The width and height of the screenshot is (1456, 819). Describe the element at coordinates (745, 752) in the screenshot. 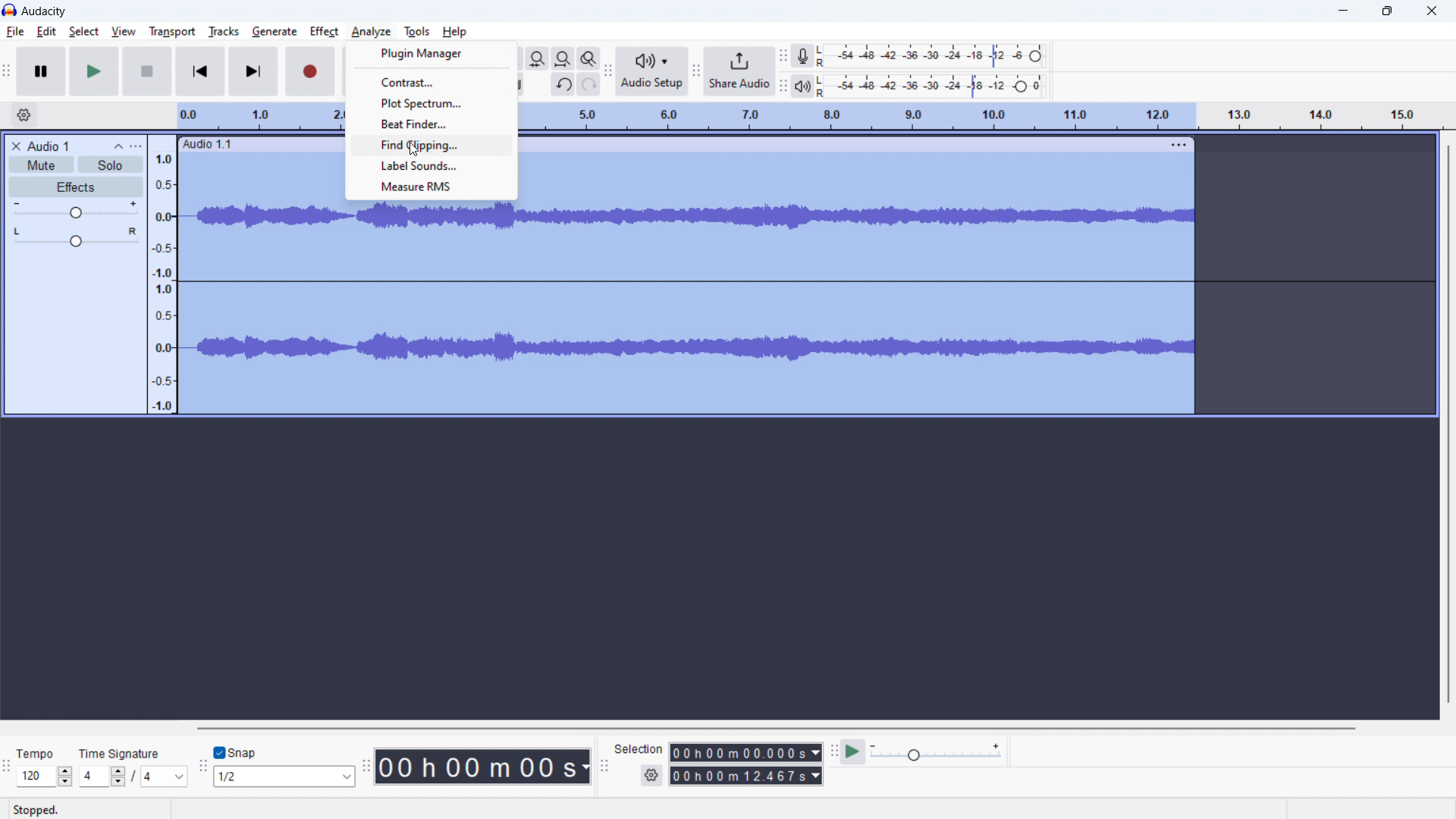

I see `start time` at that location.